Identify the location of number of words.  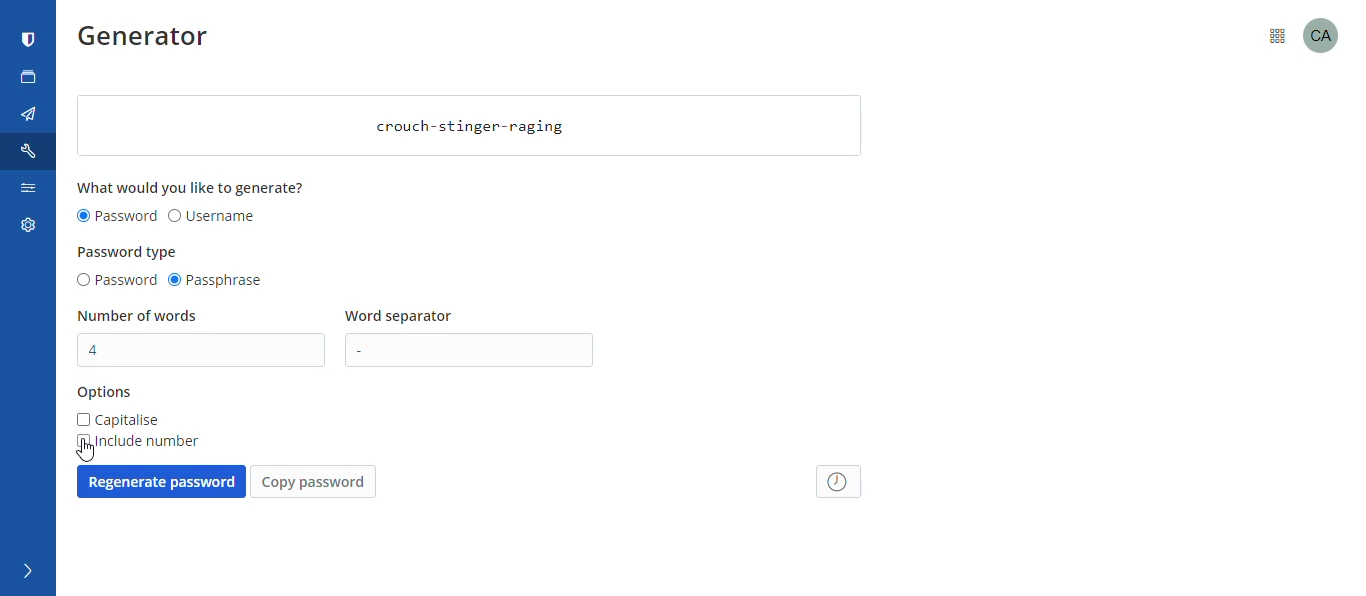
(139, 316).